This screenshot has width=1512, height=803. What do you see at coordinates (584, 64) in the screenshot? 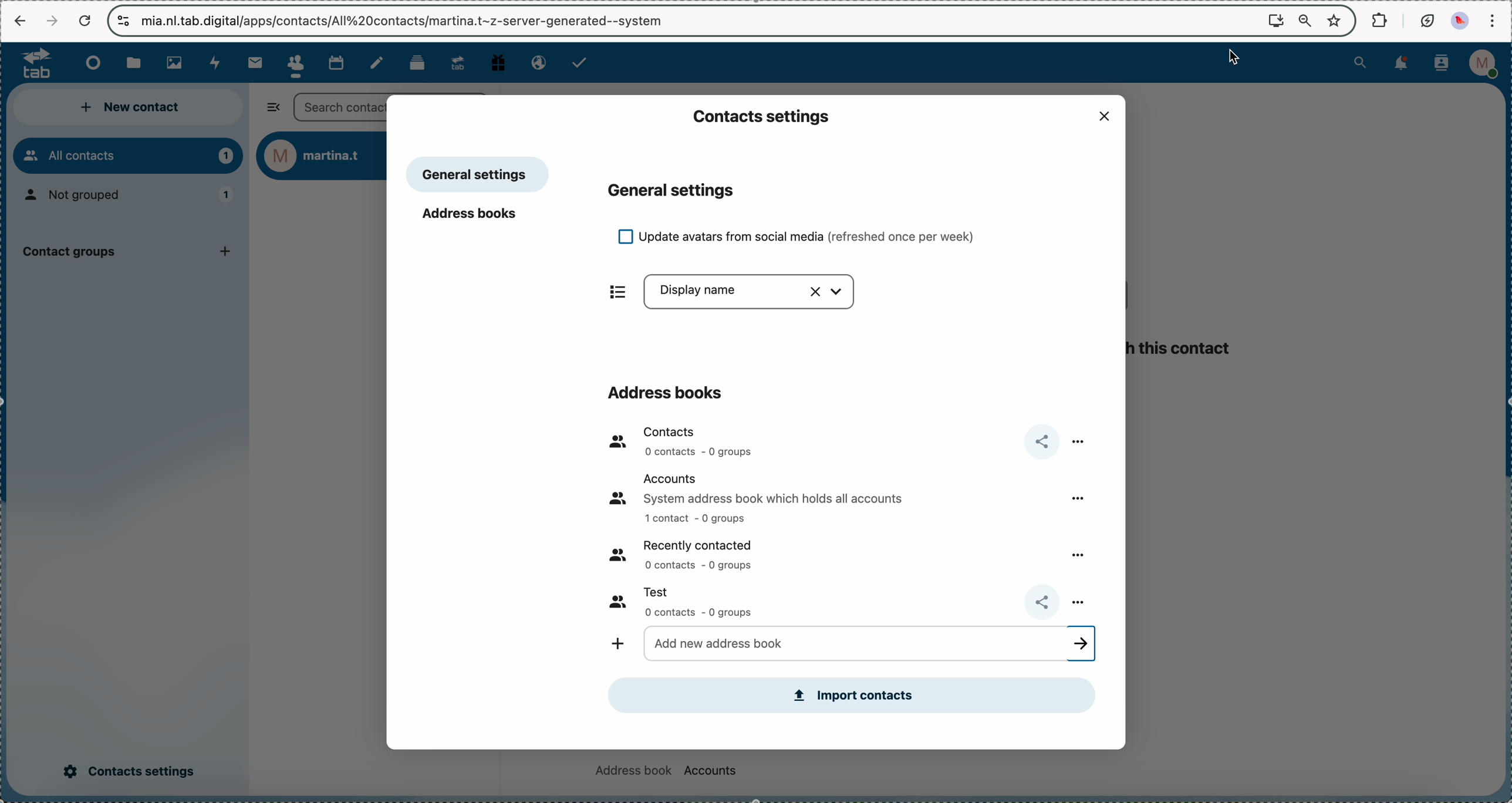
I see `tasks` at bounding box center [584, 64].